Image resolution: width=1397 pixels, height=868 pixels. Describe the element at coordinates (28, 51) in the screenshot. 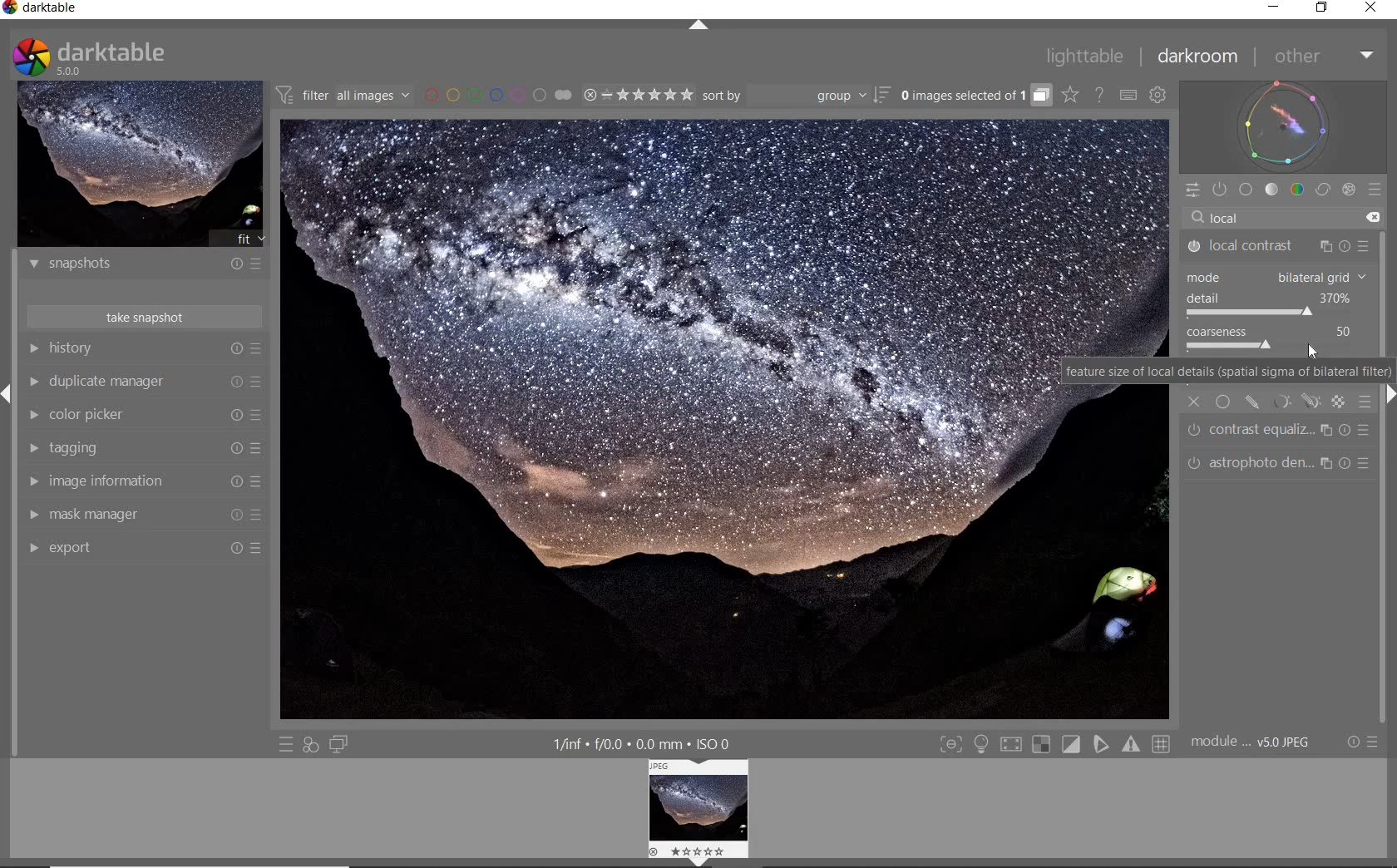

I see `darktable logo` at that location.